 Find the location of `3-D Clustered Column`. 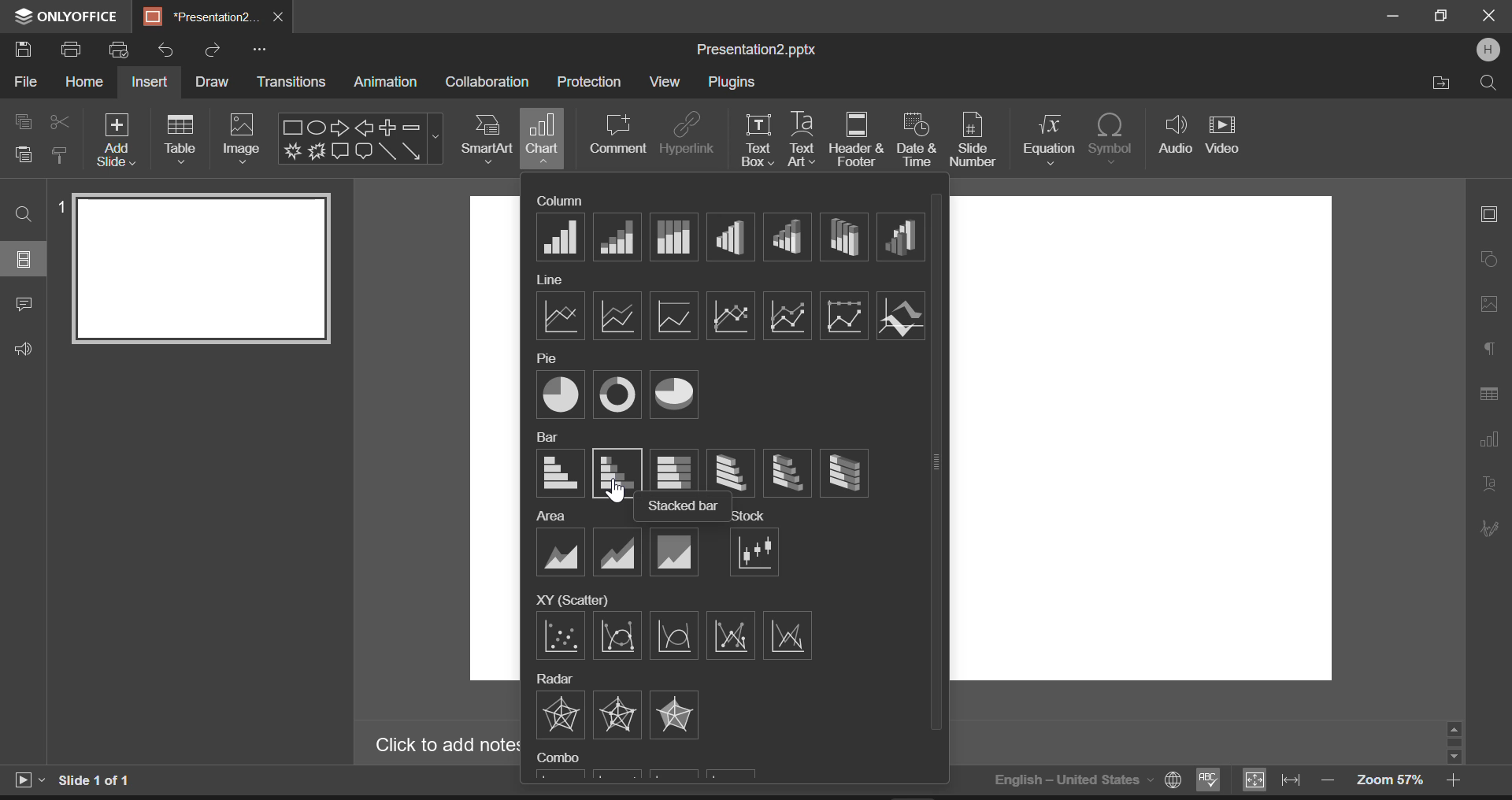

3-D Clustered Column is located at coordinates (732, 236).